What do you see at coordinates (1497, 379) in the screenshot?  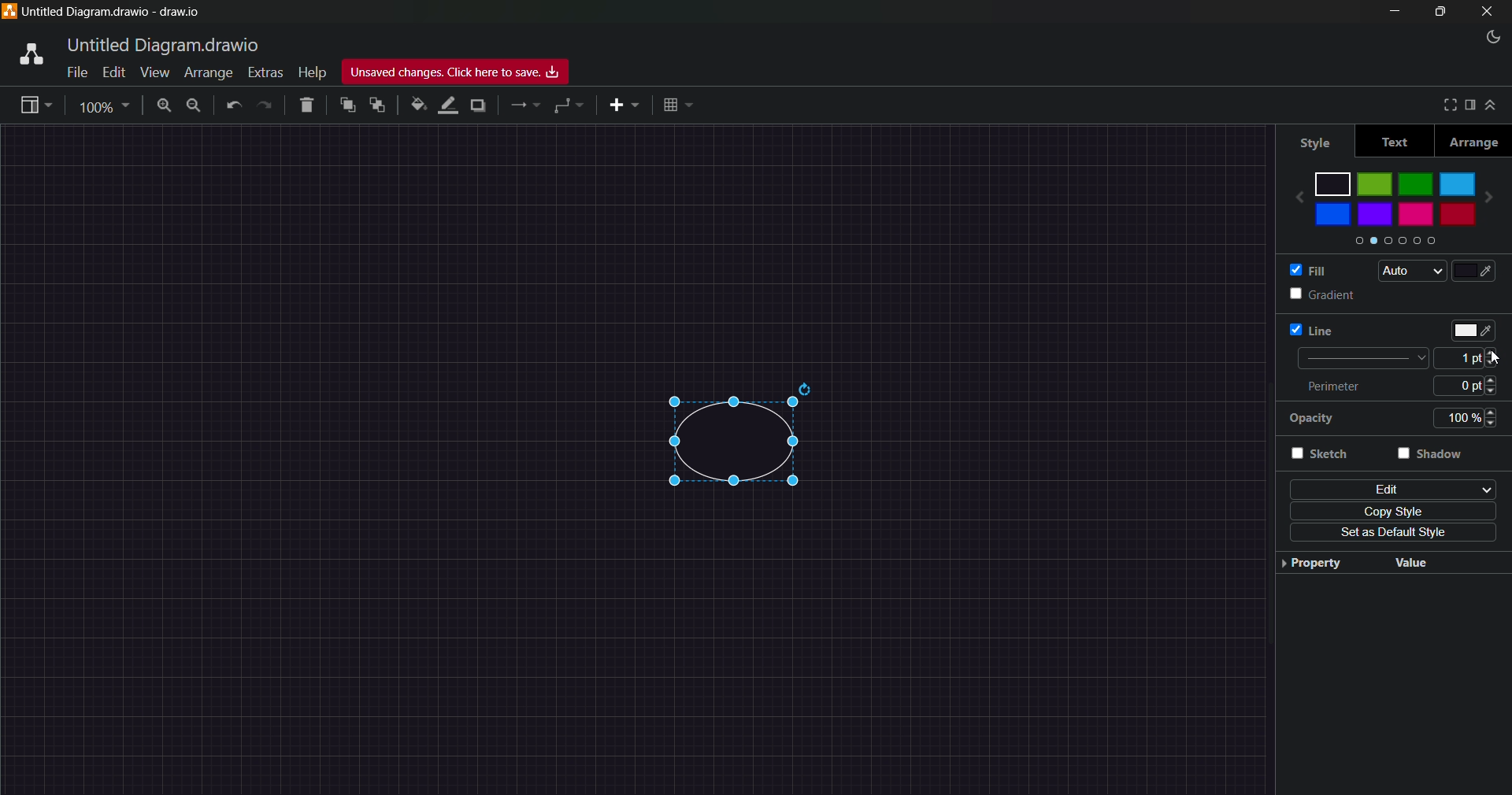 I see `increase perimeter` at bounding box center [1497, 379].